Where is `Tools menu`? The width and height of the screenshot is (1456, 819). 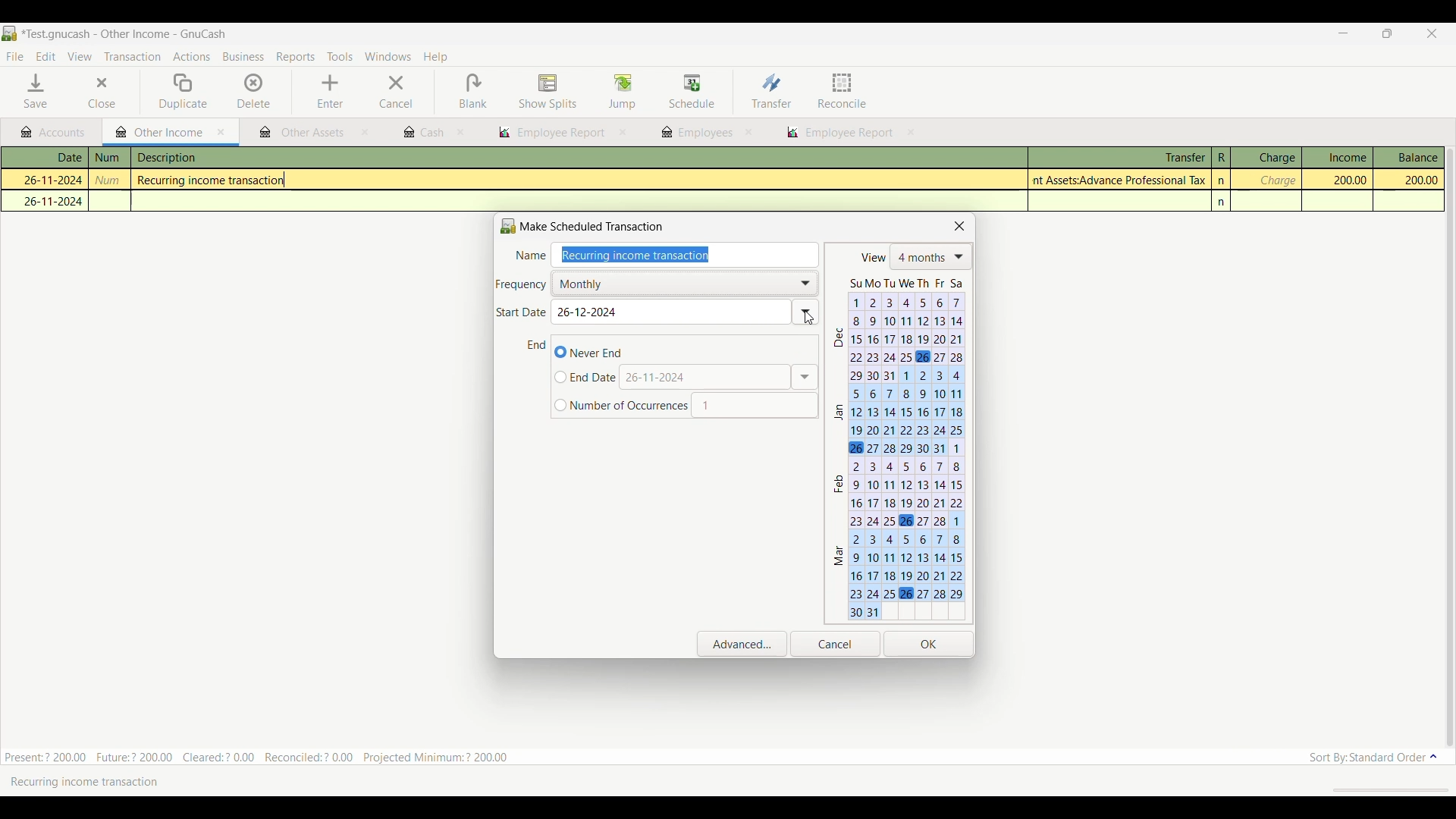 Tools menu is located at coordinates (340, 58).